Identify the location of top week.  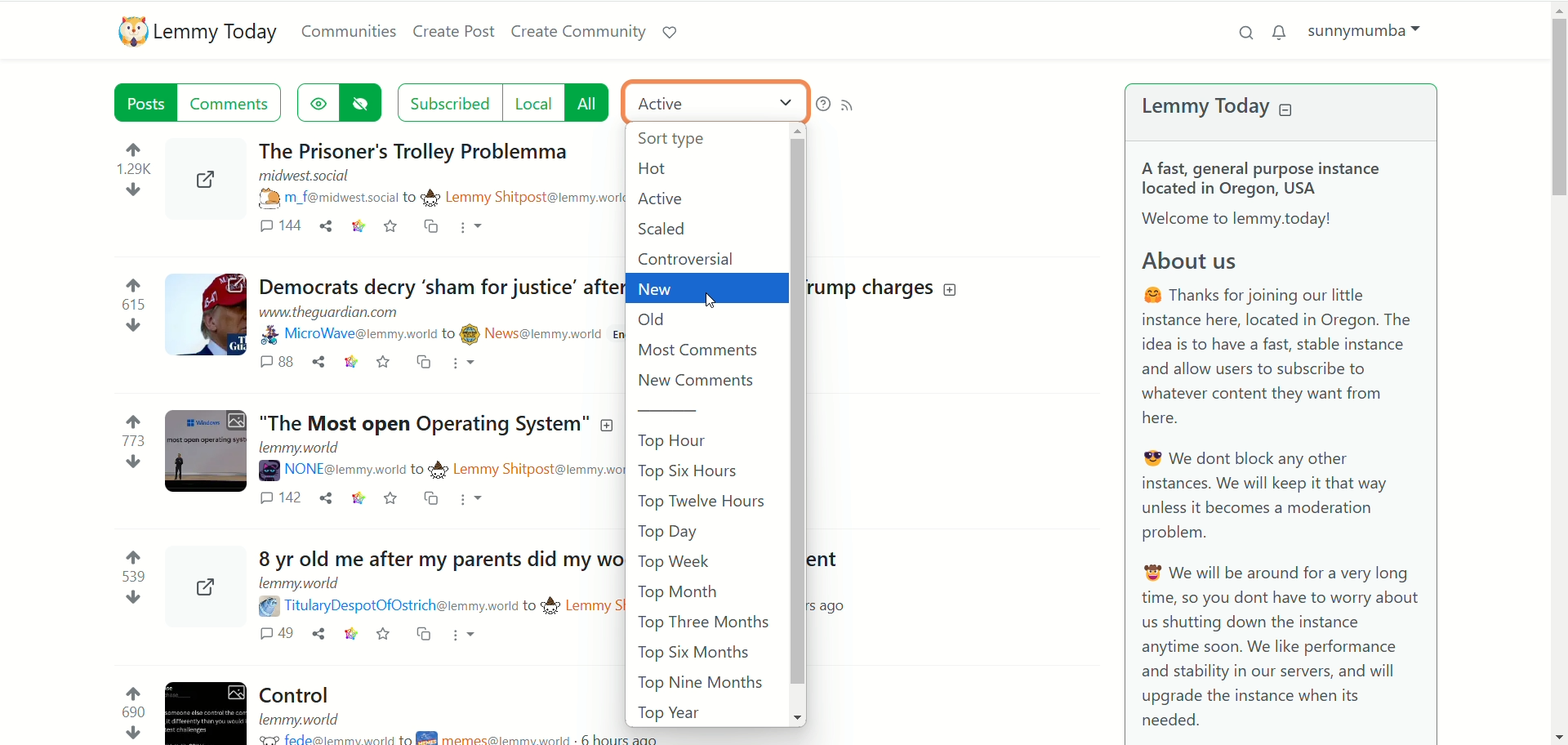
(675, 562).